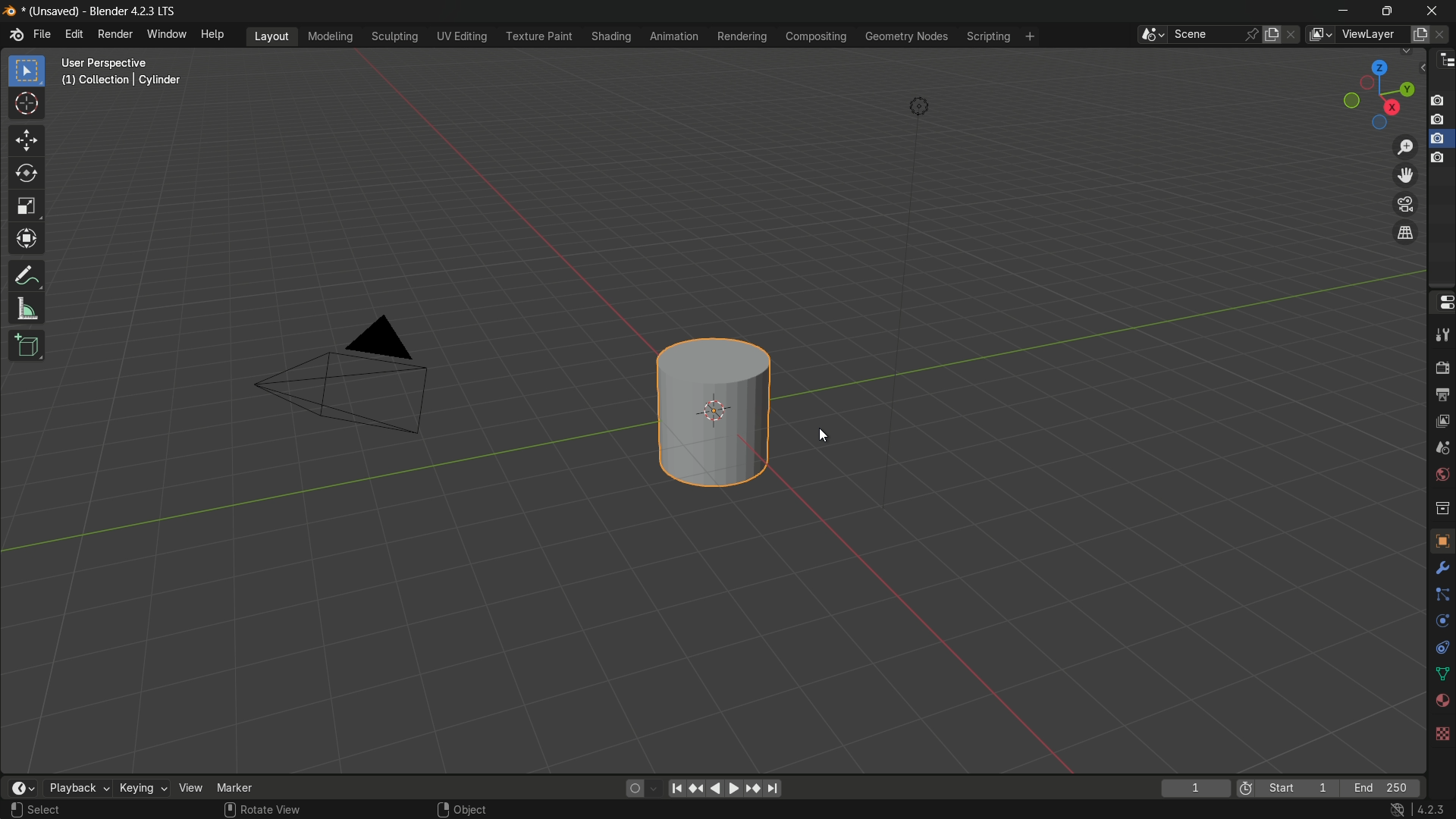 The image size is (1456, 819). I want to click on select box, so click(29, 71).